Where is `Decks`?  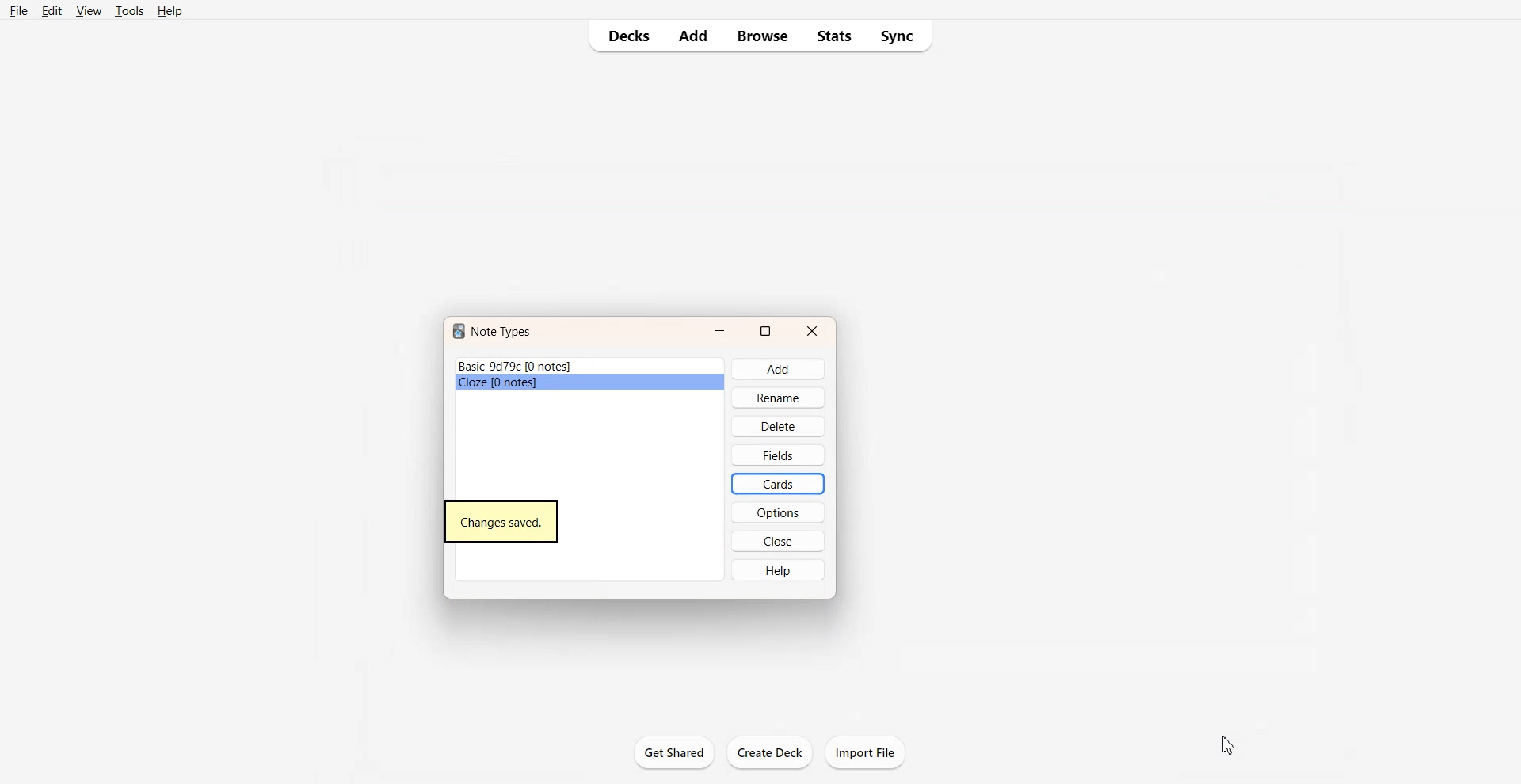 Decks is located at coordinates (623, 36).